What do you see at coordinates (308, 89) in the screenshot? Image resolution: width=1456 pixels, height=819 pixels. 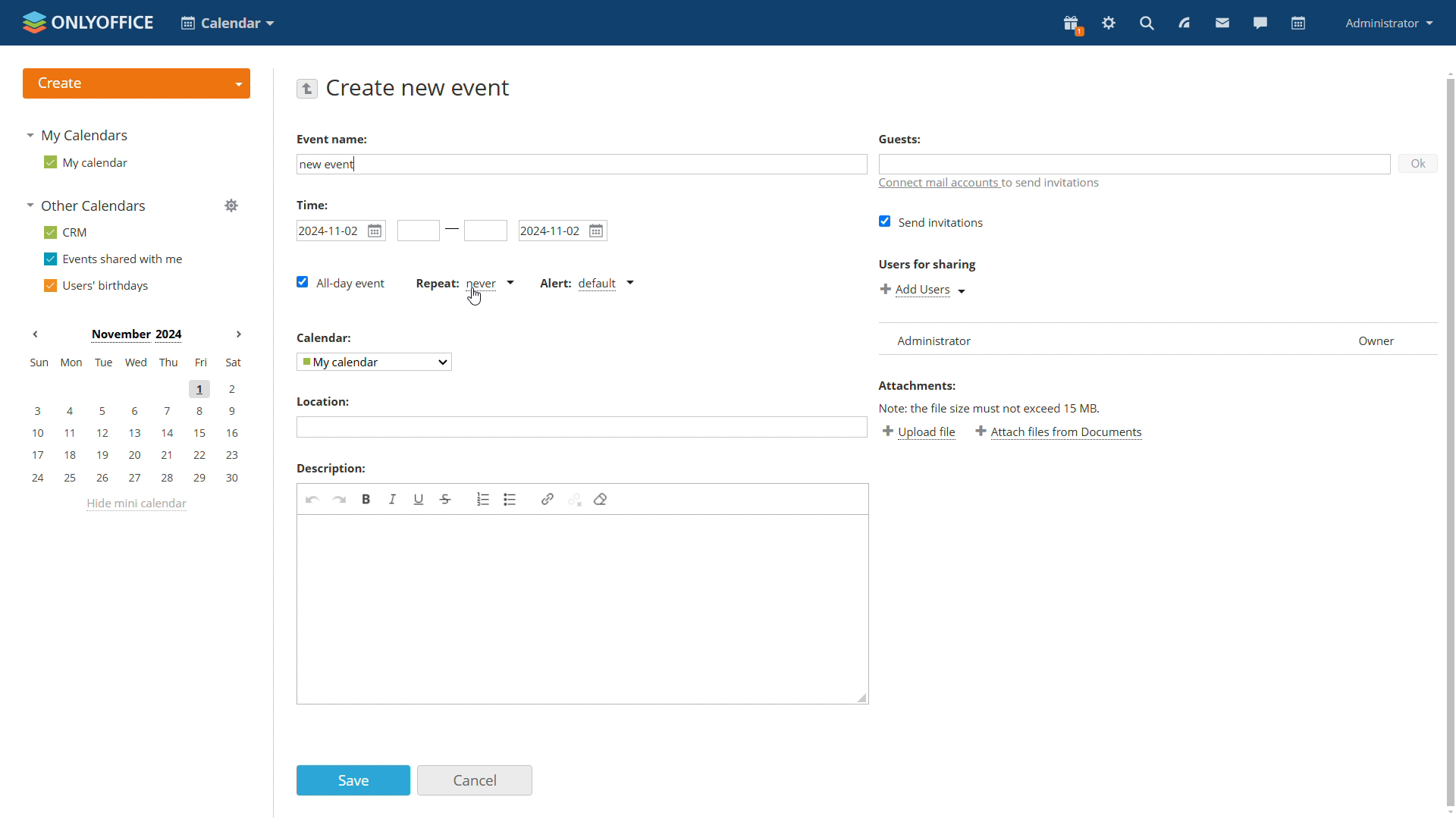 I see `go back` at bounding box center [308, 89].